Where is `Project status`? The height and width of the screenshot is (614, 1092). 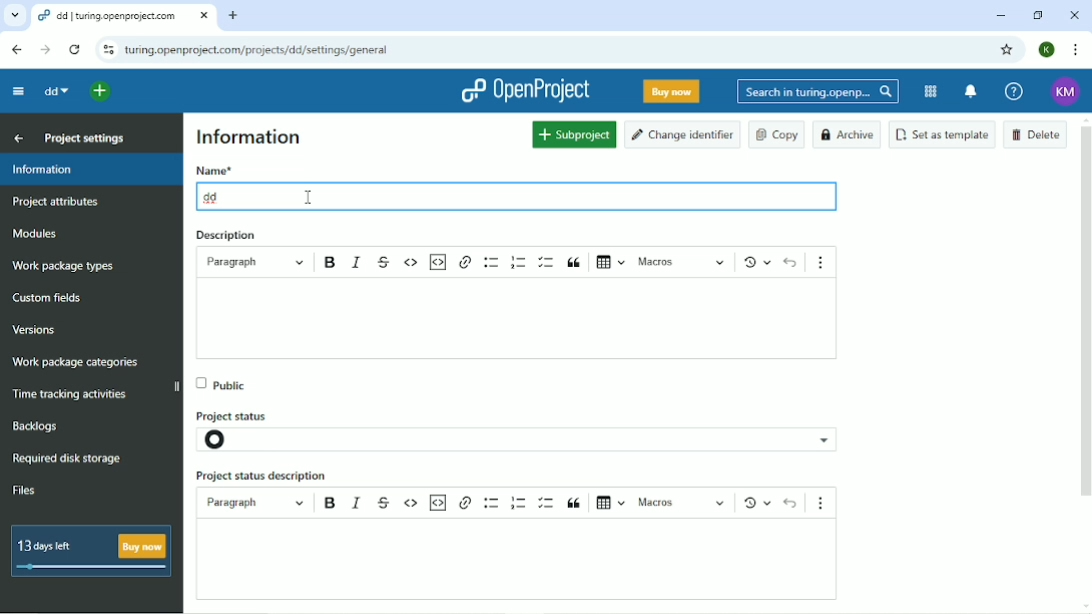 Project status is located at coordinates (243, 411).